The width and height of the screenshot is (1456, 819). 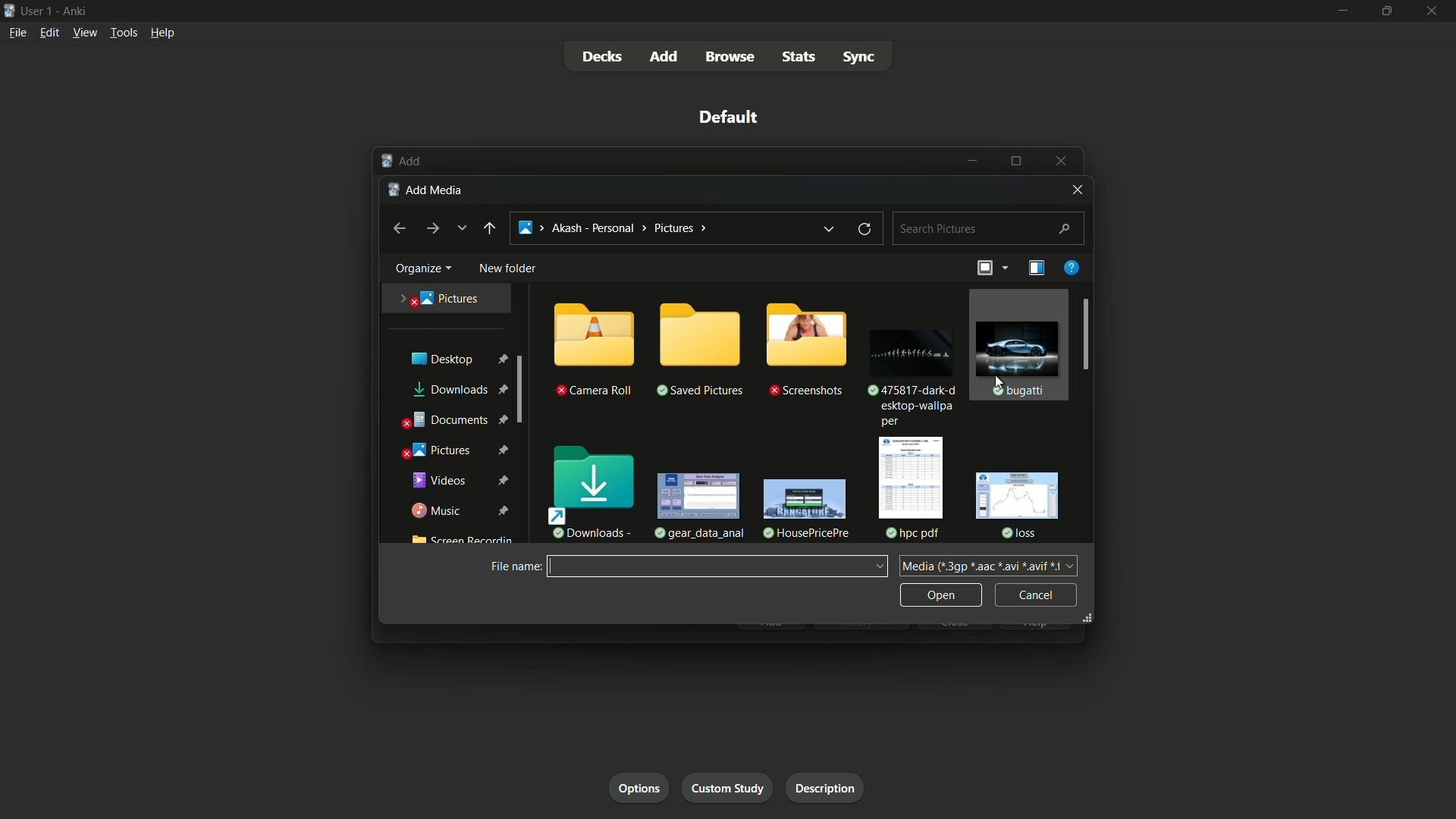 I want to click on options, so click(x=639, y=787).